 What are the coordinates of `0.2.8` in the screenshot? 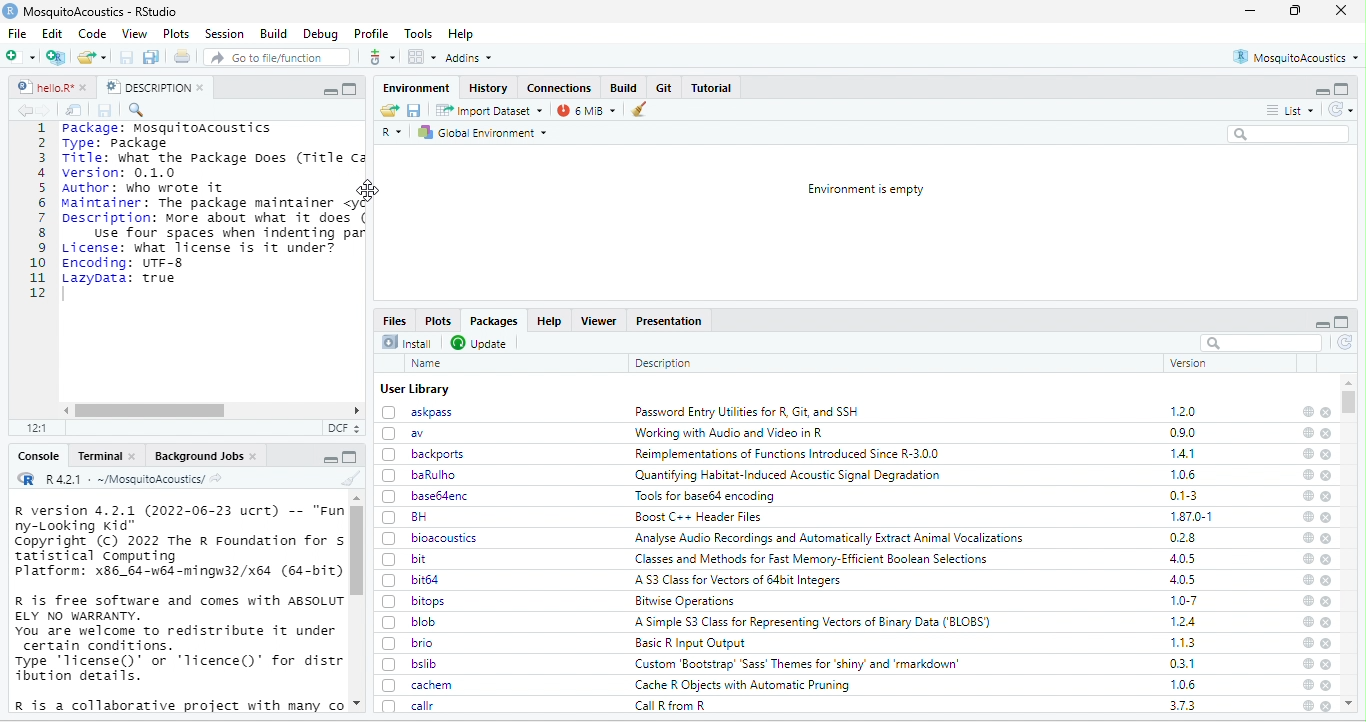 It's located at (1181, 538).